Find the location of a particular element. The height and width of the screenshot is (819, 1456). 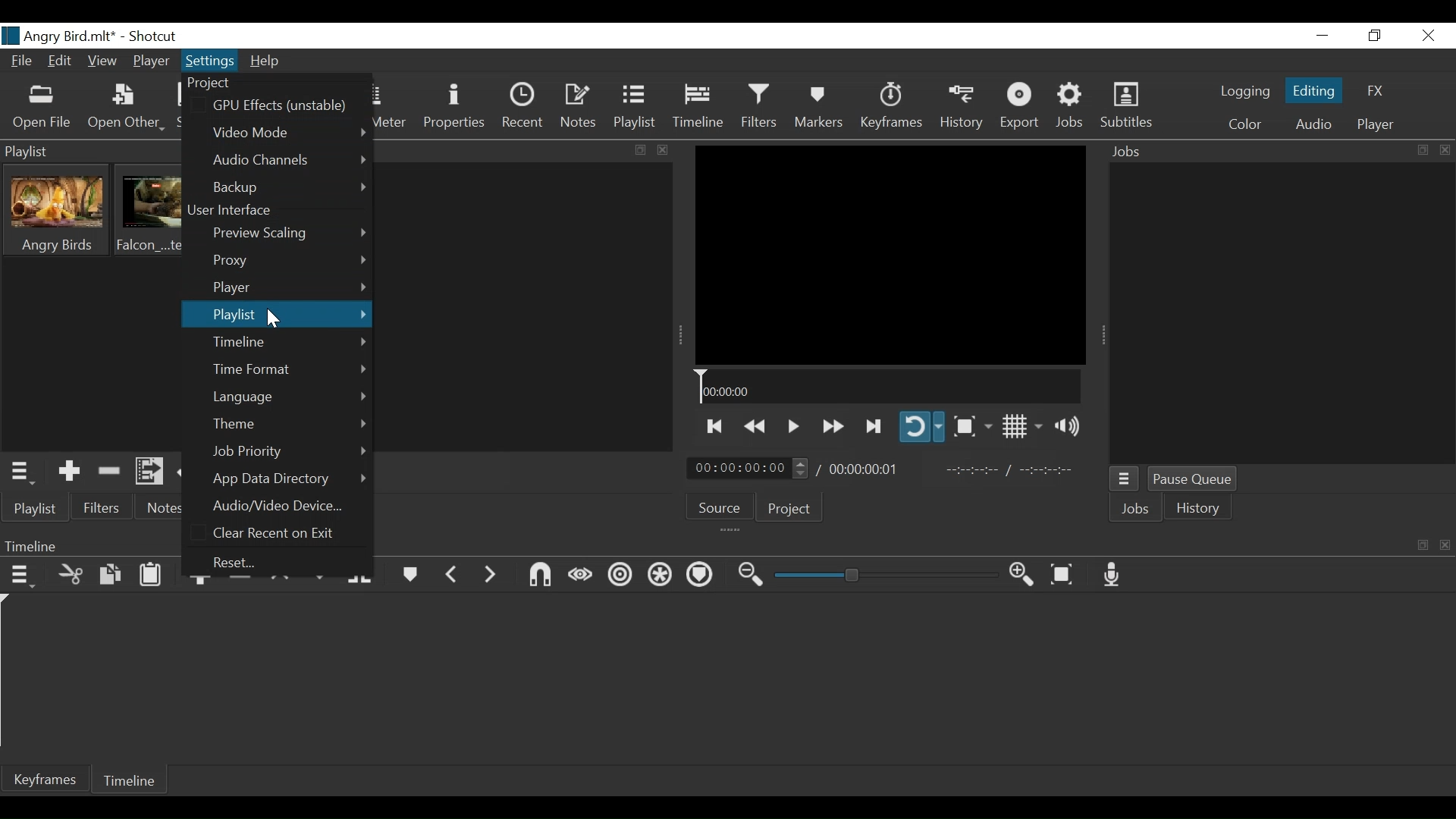

Jobs Menu is located at coordinates (1125, 480).